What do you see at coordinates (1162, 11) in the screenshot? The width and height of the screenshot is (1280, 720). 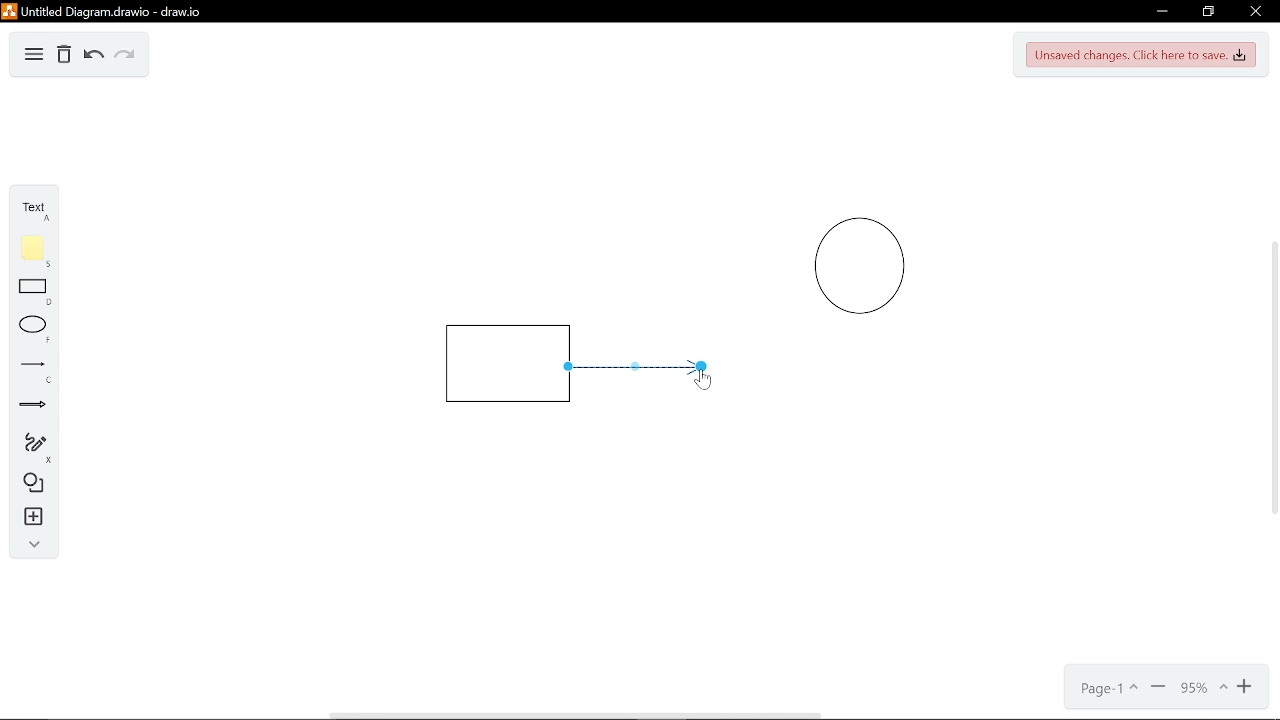 I see `Minimize` at bounding box center [1162, 11].